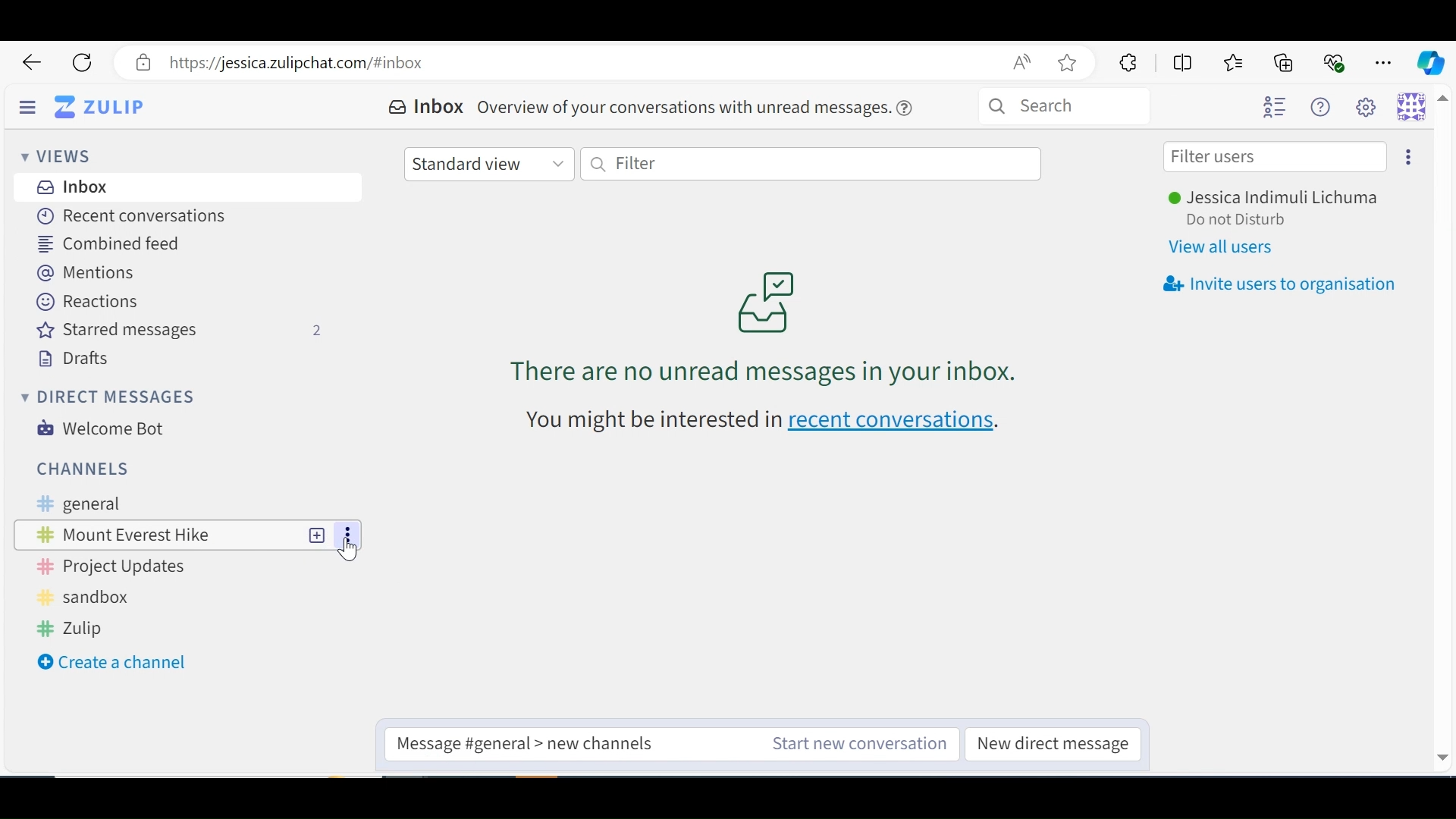  Describe the element at coordinates (580, 63) in the screenshot. I see `Address bar` at that location.